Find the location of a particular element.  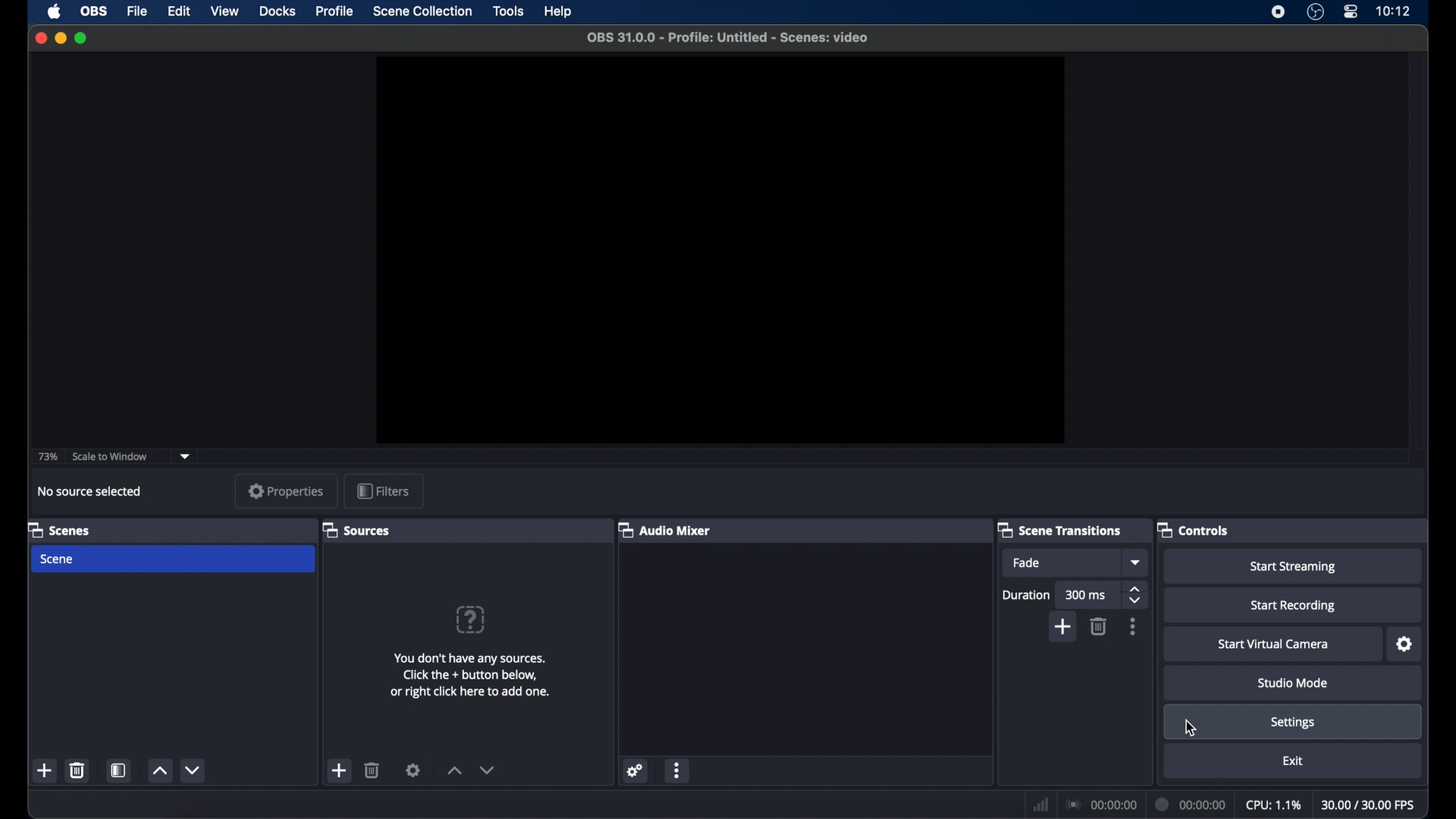

increment is located at coordinates (455, 770).